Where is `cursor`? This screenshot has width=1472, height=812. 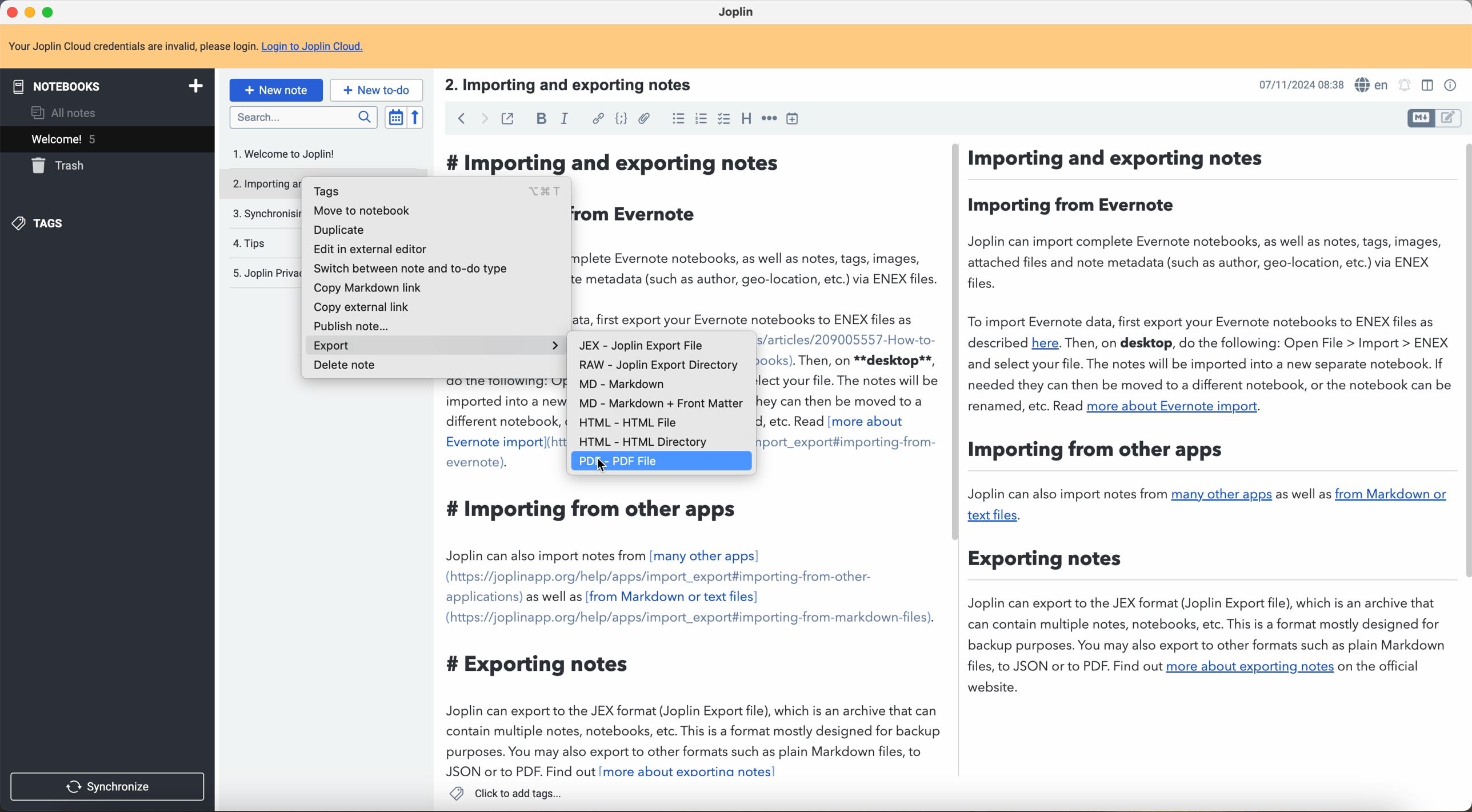
cursor is located at coordinates (603, 465).